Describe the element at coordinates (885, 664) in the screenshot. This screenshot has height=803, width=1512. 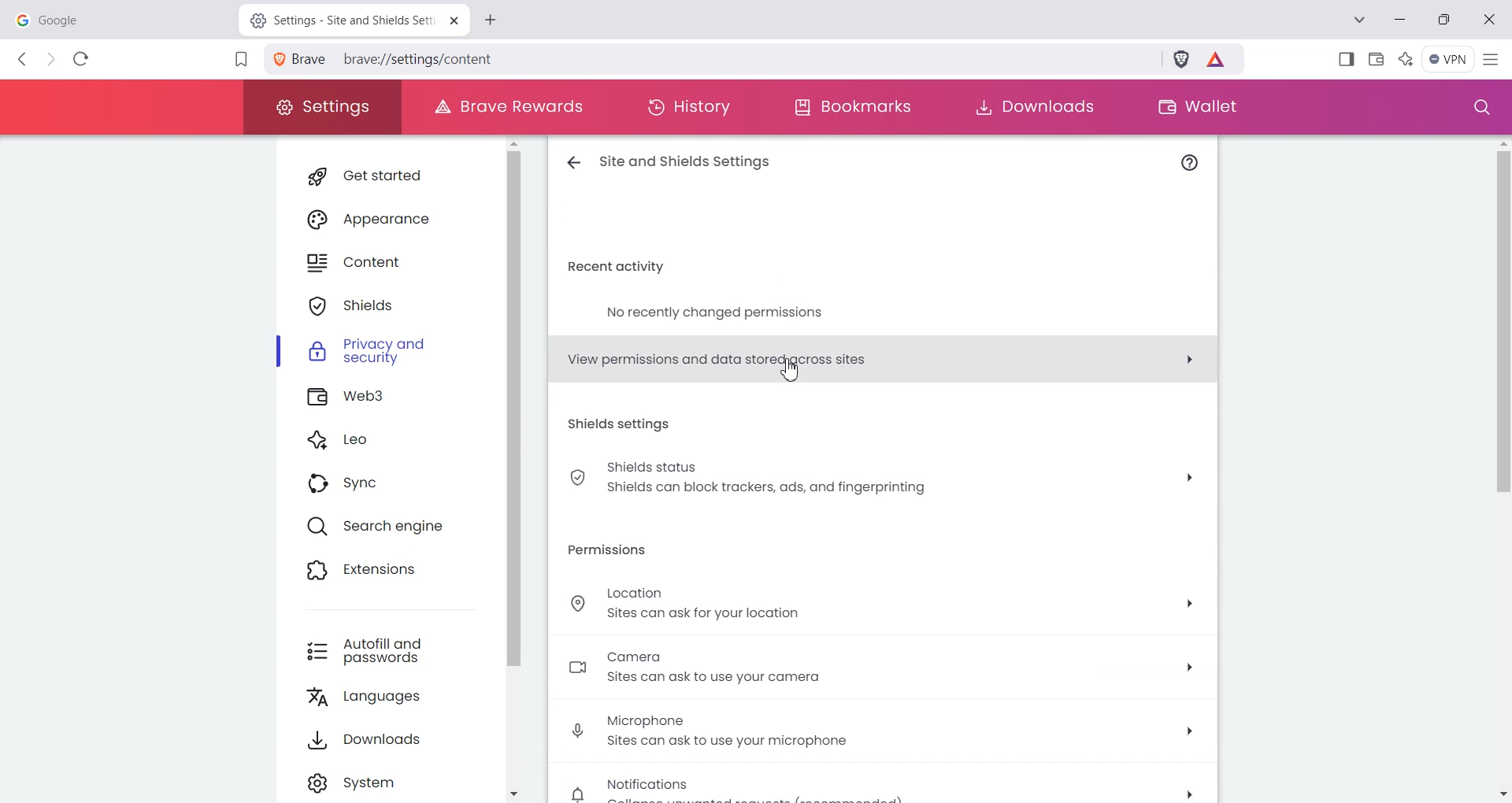
I see `, Camera
sites can ask to use your camera` at that location.